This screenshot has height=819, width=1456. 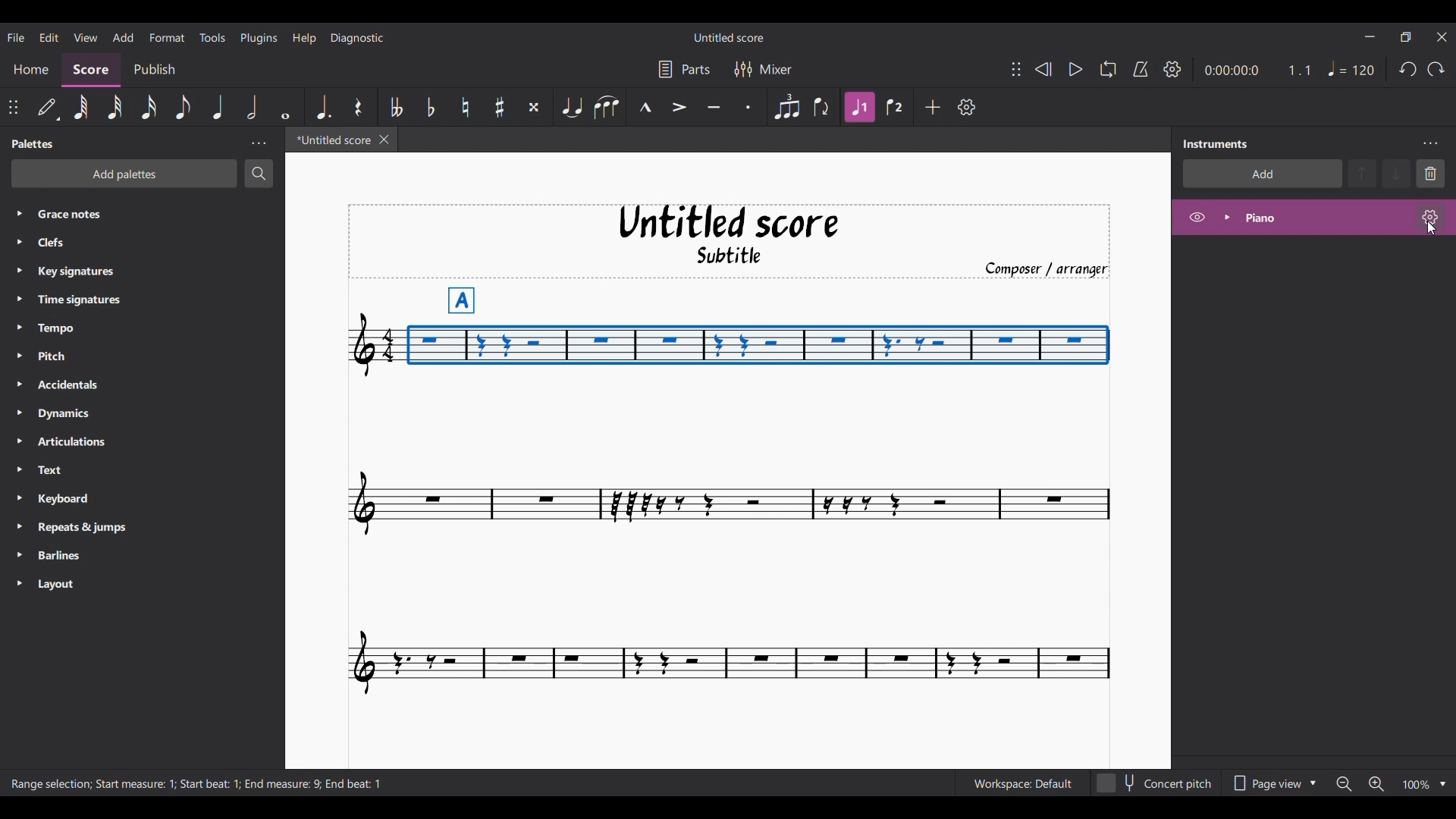 I want to click on Piano settings, so click(x=1430, y=217).